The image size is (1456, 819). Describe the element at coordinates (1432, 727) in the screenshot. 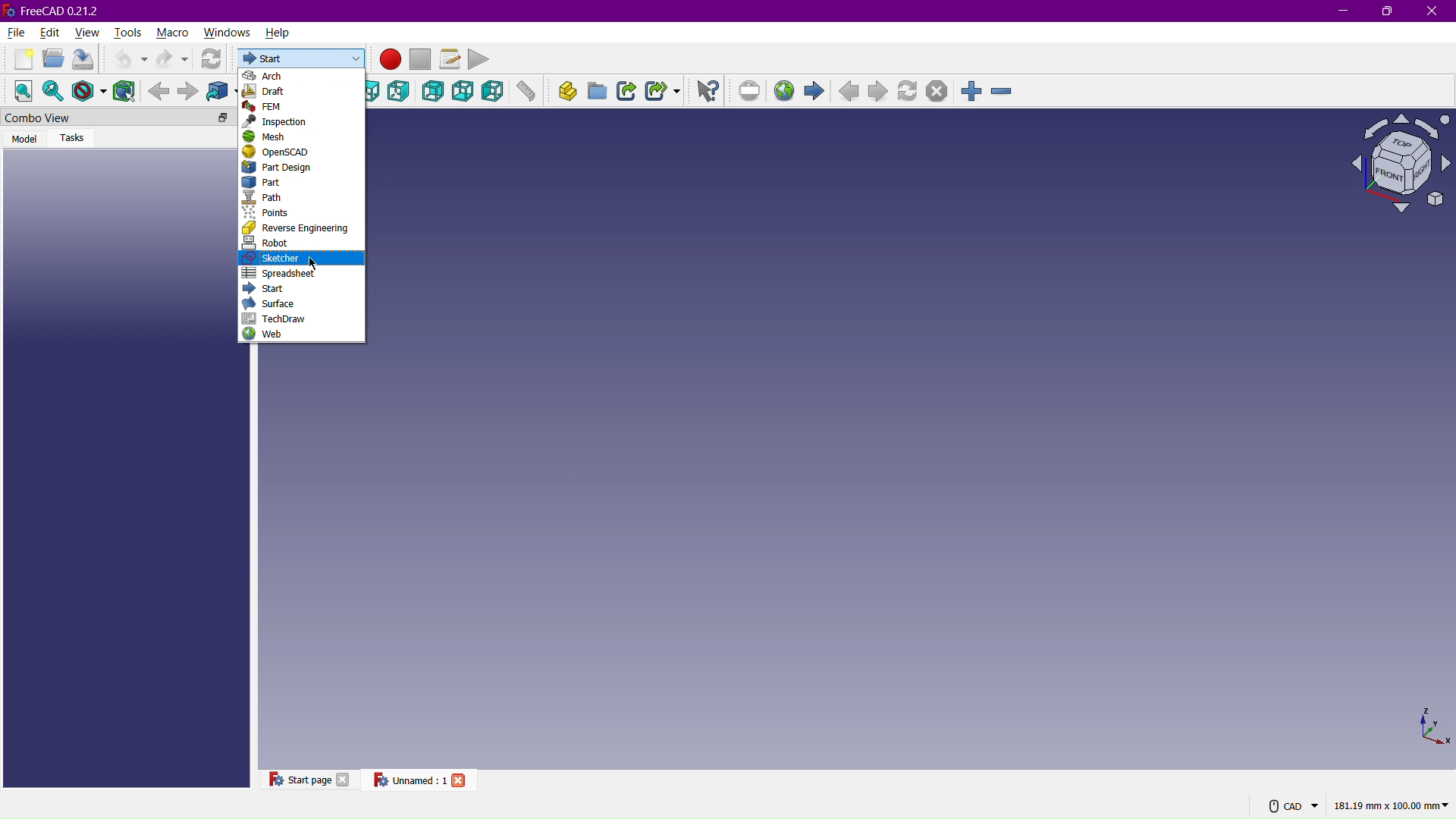

I see `3D Axis View` at that location.